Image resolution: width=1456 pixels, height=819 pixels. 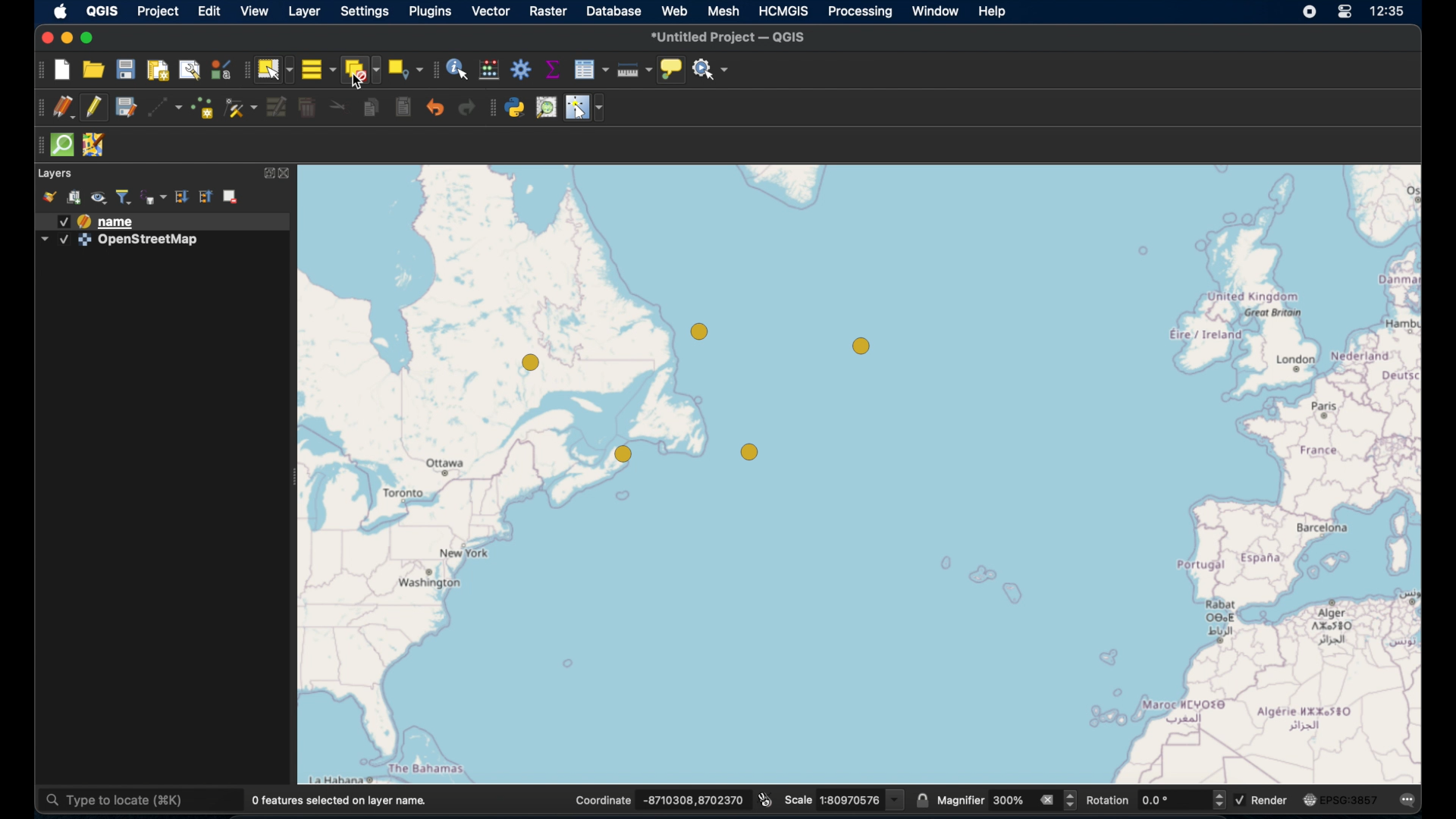 What do you see at coordinates (154, 197) in the screenshot?
I see `filter legend by expression` at bounding box center [154, 197].